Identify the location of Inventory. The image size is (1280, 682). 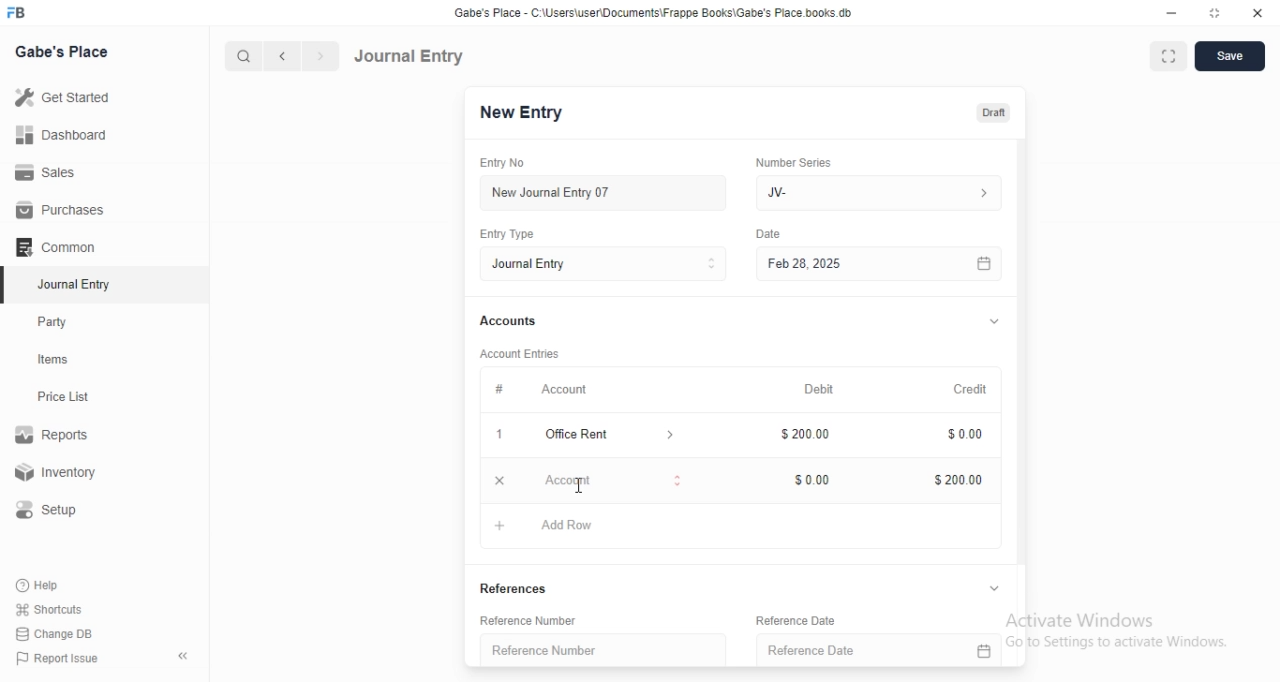
(59, 474).